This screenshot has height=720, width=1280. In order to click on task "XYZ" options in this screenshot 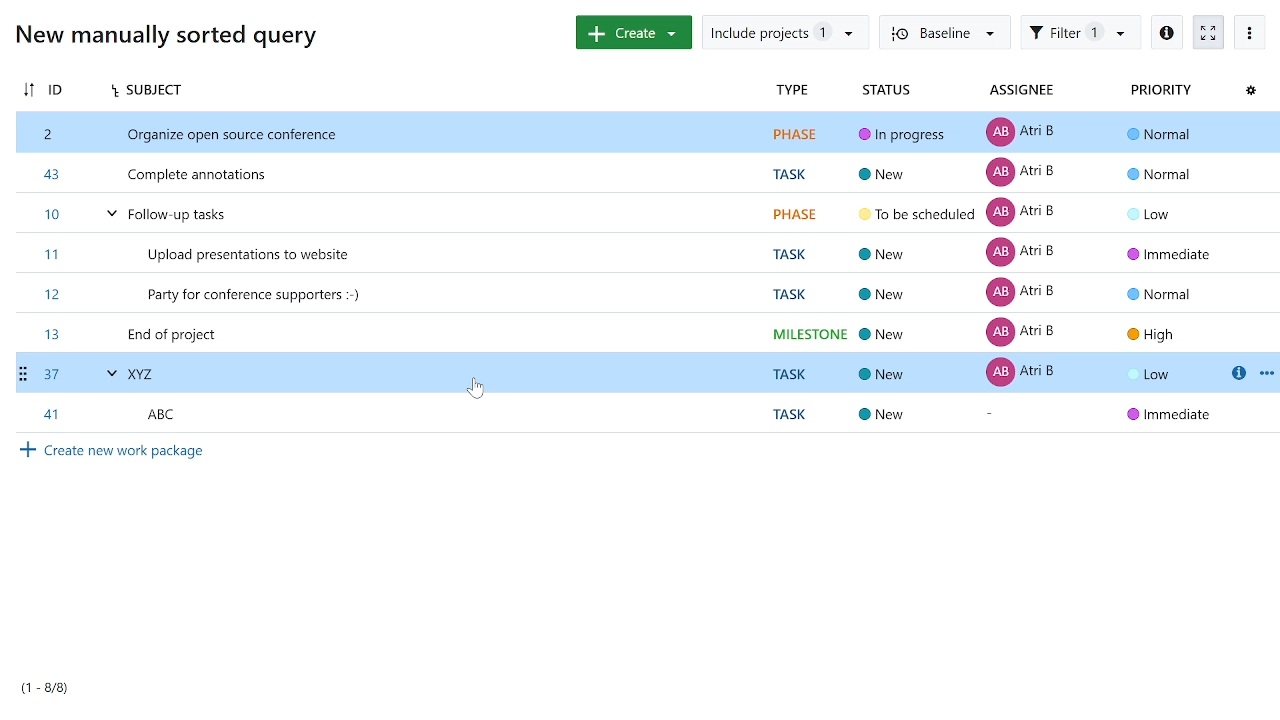, I will do `click(1266, 372)`.